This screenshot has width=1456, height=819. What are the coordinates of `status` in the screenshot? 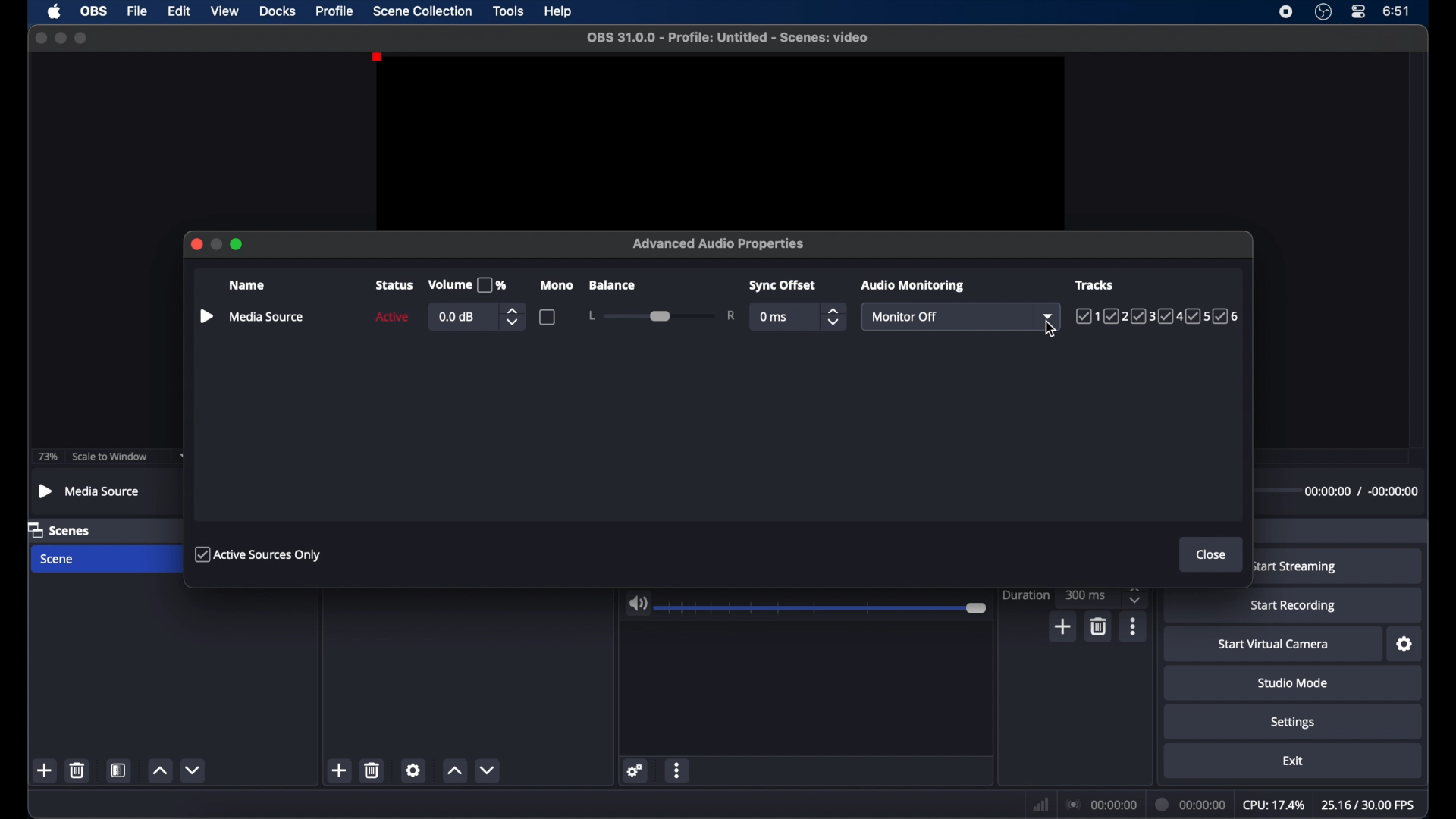 It's located at (394, 286).